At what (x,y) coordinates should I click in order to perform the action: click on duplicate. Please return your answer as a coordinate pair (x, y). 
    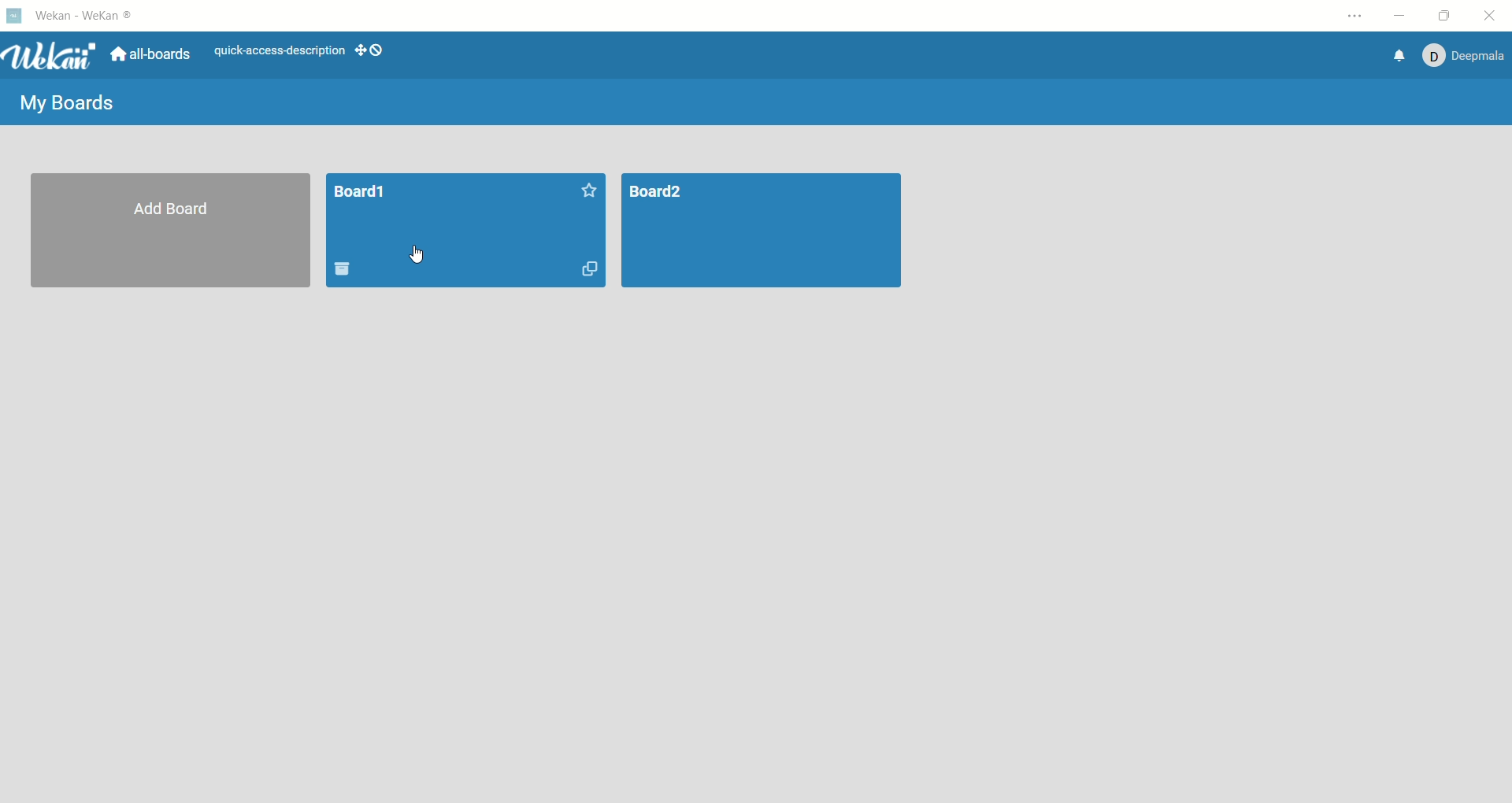
    Looking at the image, I should click on (590, 268).